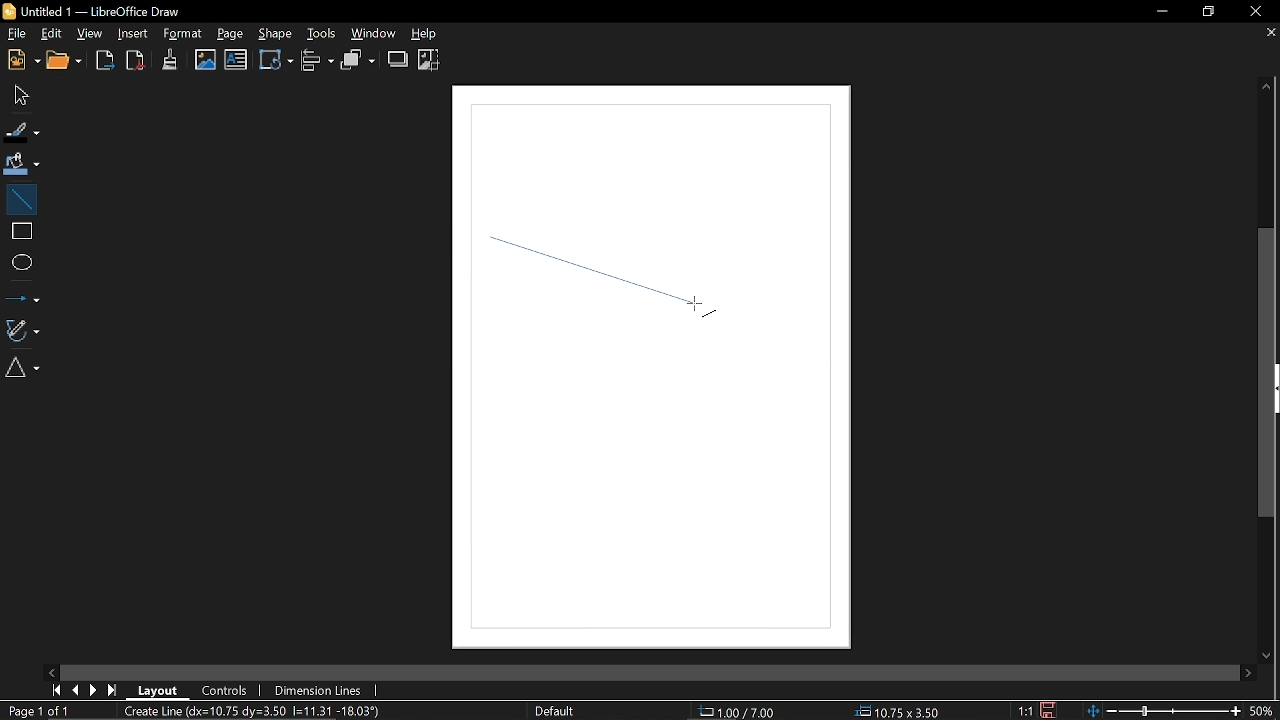 This screenshot has width=1280, height=720. Describe the element at coordinates (21, 61) in the screenshot. I see `New` at that location.